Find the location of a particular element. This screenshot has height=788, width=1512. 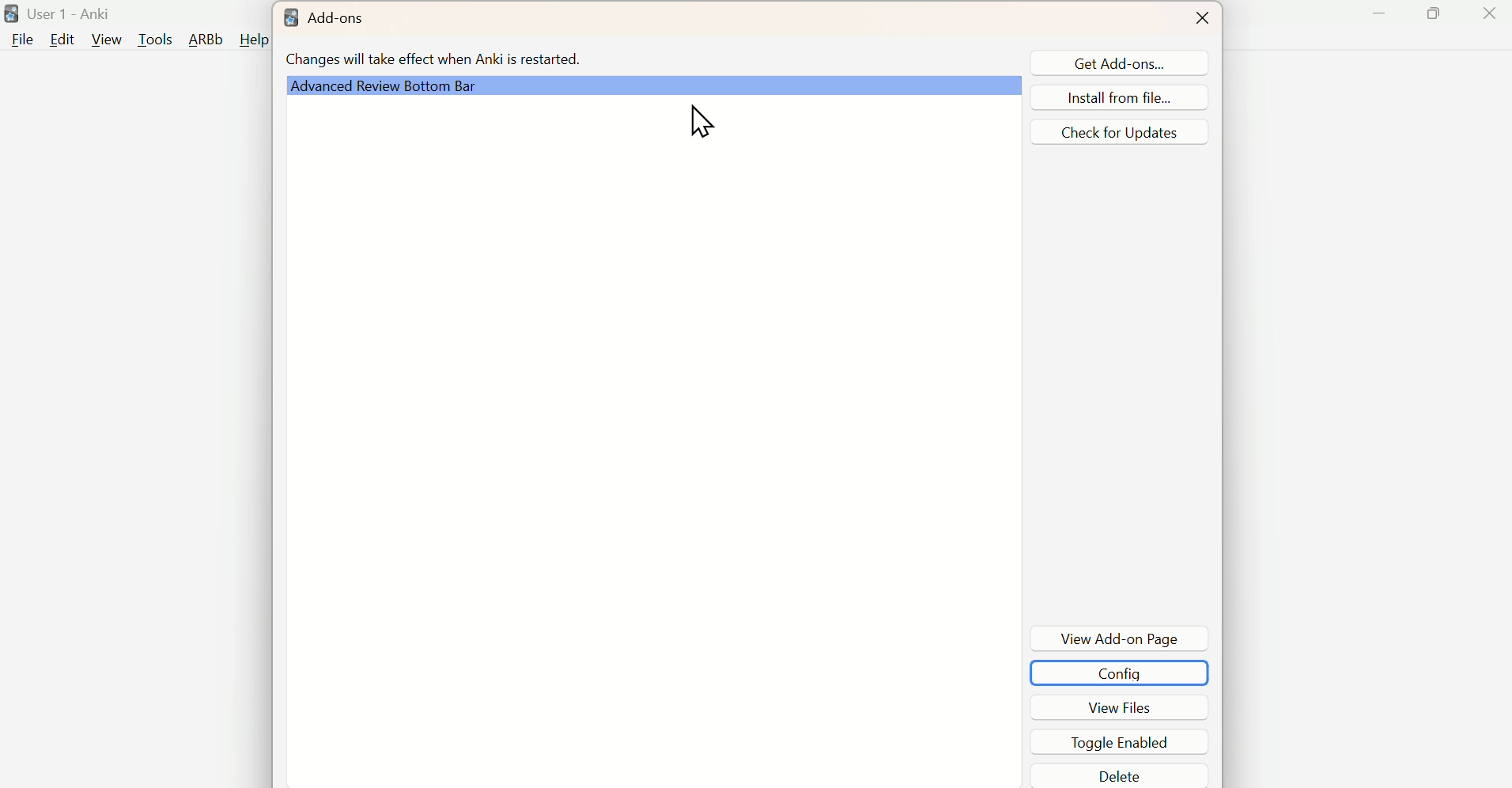

ARBb is located at coordinates (207, 40).